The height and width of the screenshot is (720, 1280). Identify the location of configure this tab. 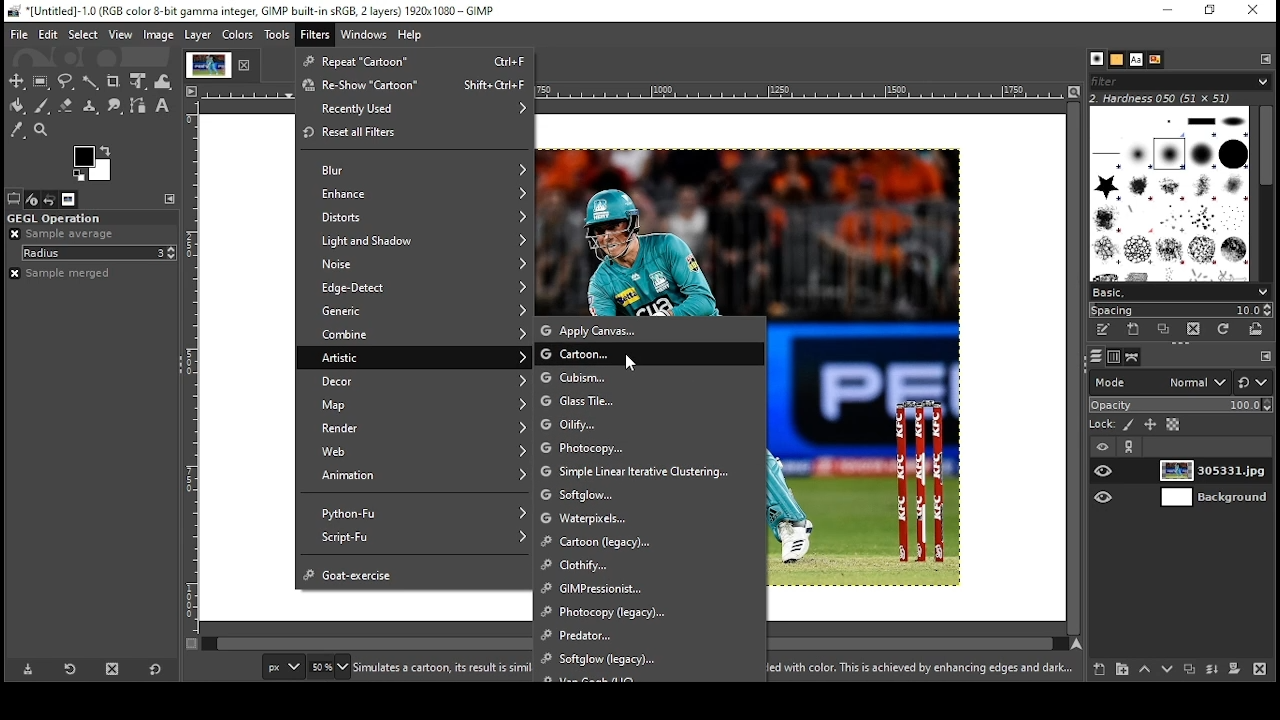
(172, 196).